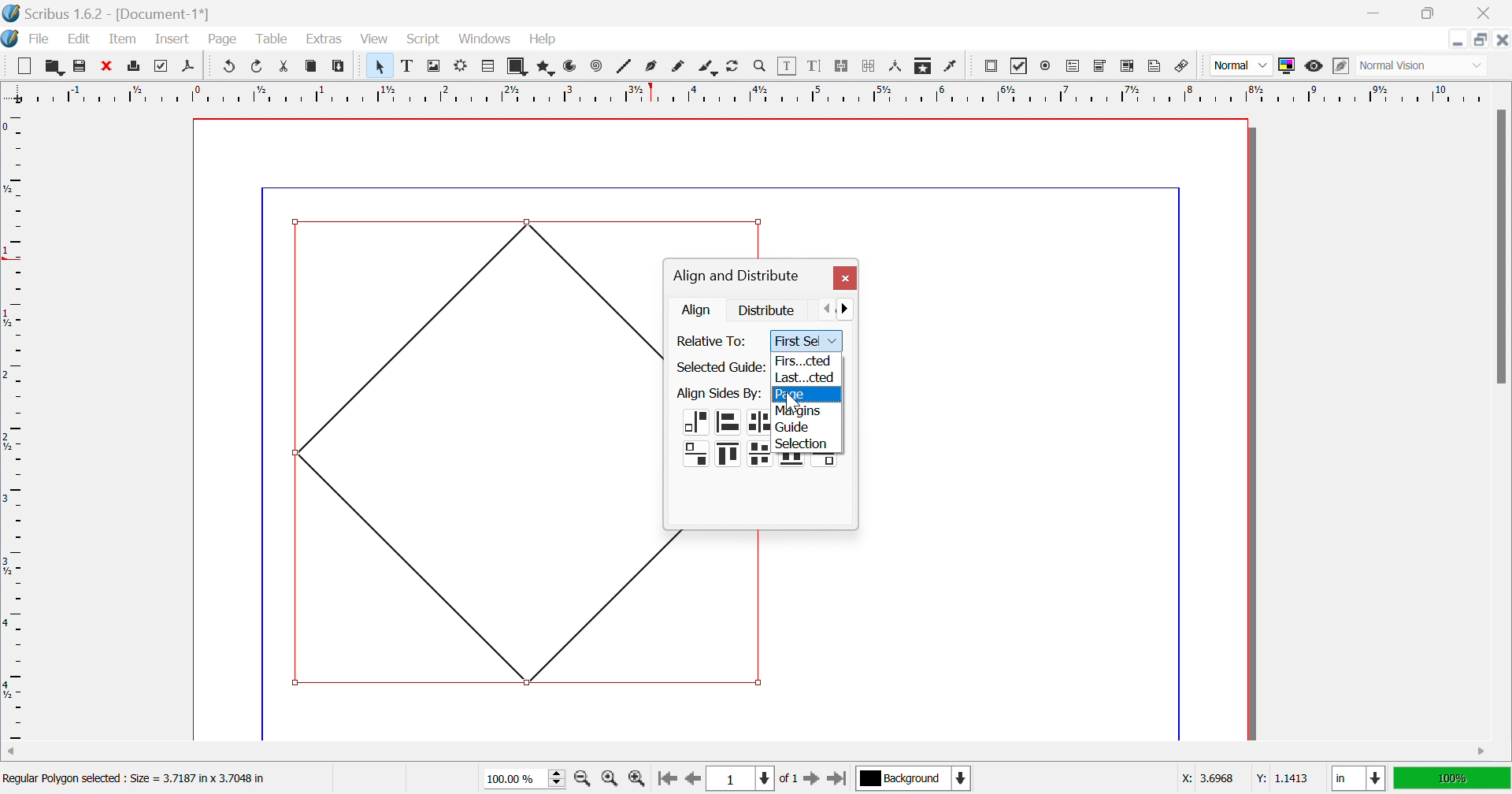 Image resolution: width=1512 pixels, height=794 pixels. Describe the element at coordinates (1502, 39) in the screenshot. I see `Close` at that location.